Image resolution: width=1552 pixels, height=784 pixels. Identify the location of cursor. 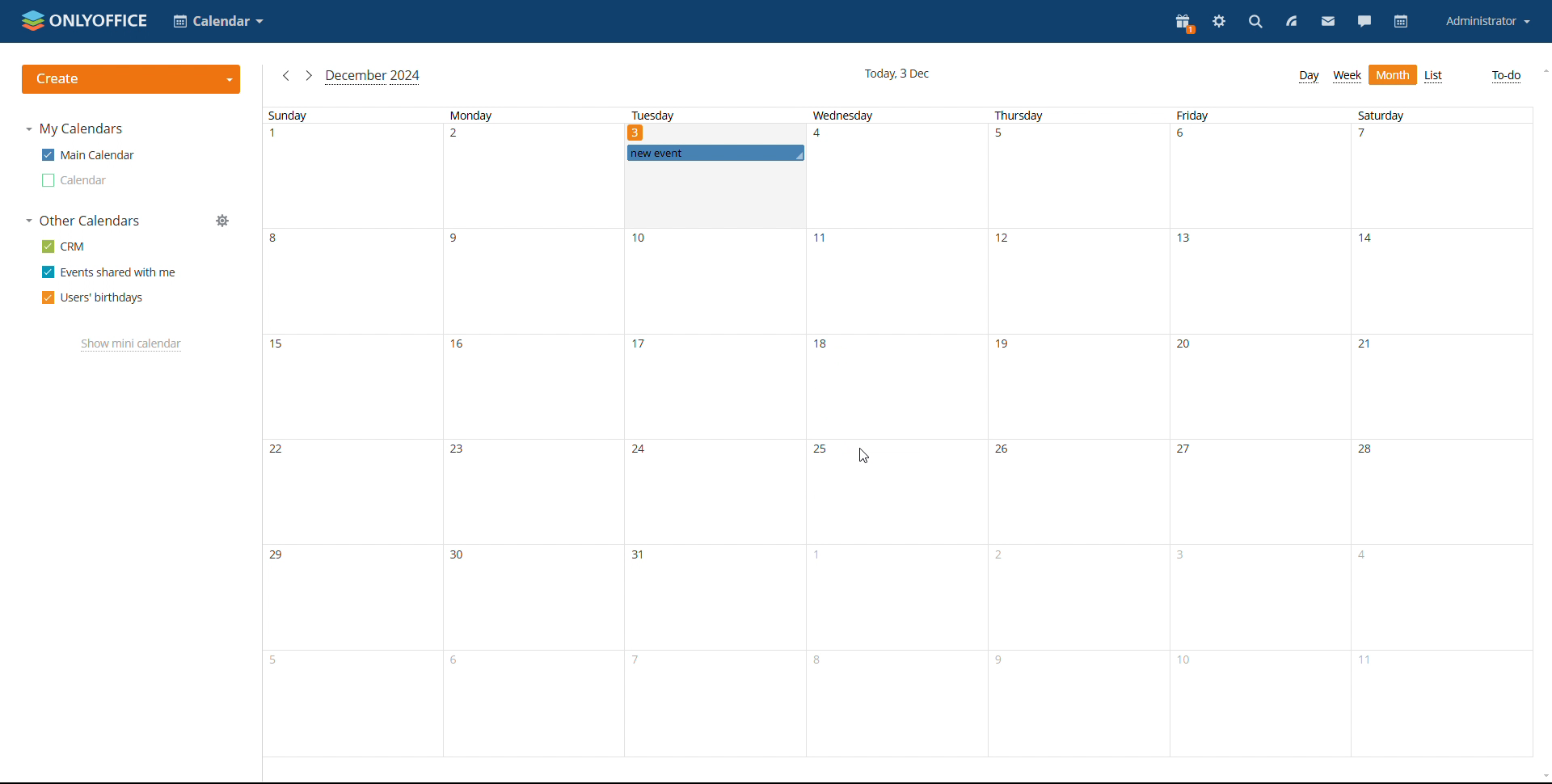
(863, 456).